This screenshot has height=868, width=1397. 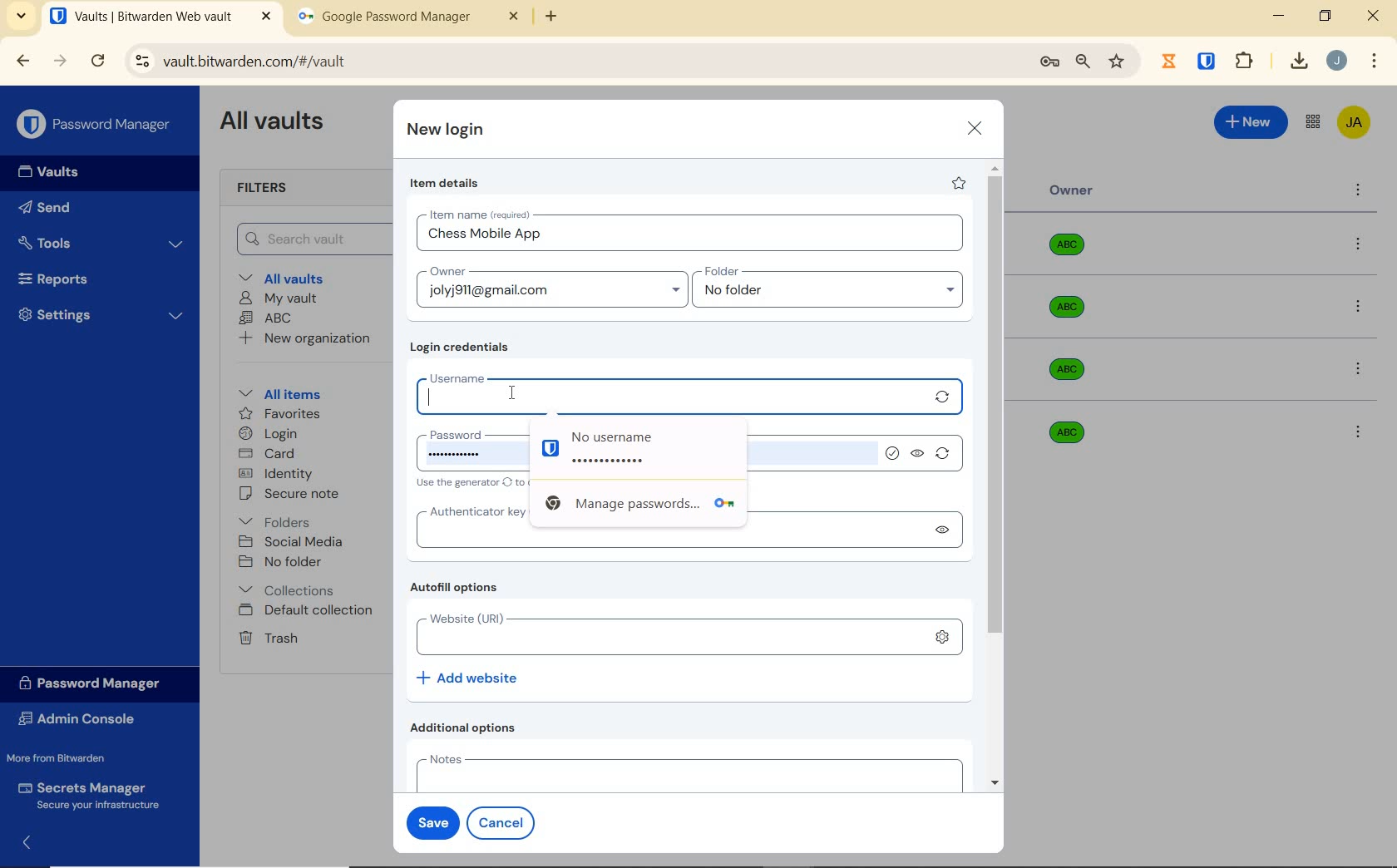 I want to click on card, so click(x=266, y=455).